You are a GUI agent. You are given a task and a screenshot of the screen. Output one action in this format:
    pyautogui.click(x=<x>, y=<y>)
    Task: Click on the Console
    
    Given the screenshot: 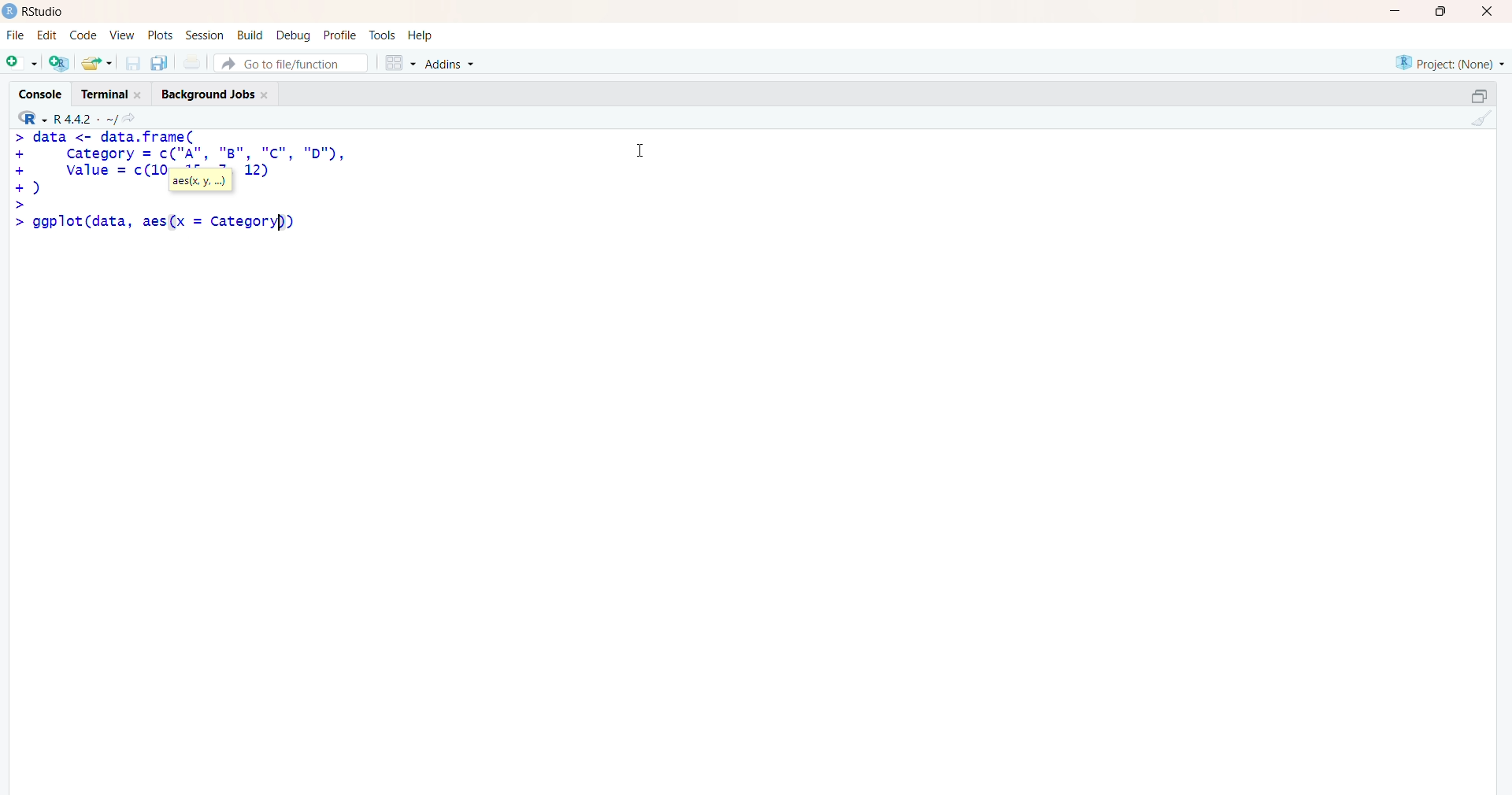 What is the action you would take?
    pyautogui.click(x=44, y=92)
    